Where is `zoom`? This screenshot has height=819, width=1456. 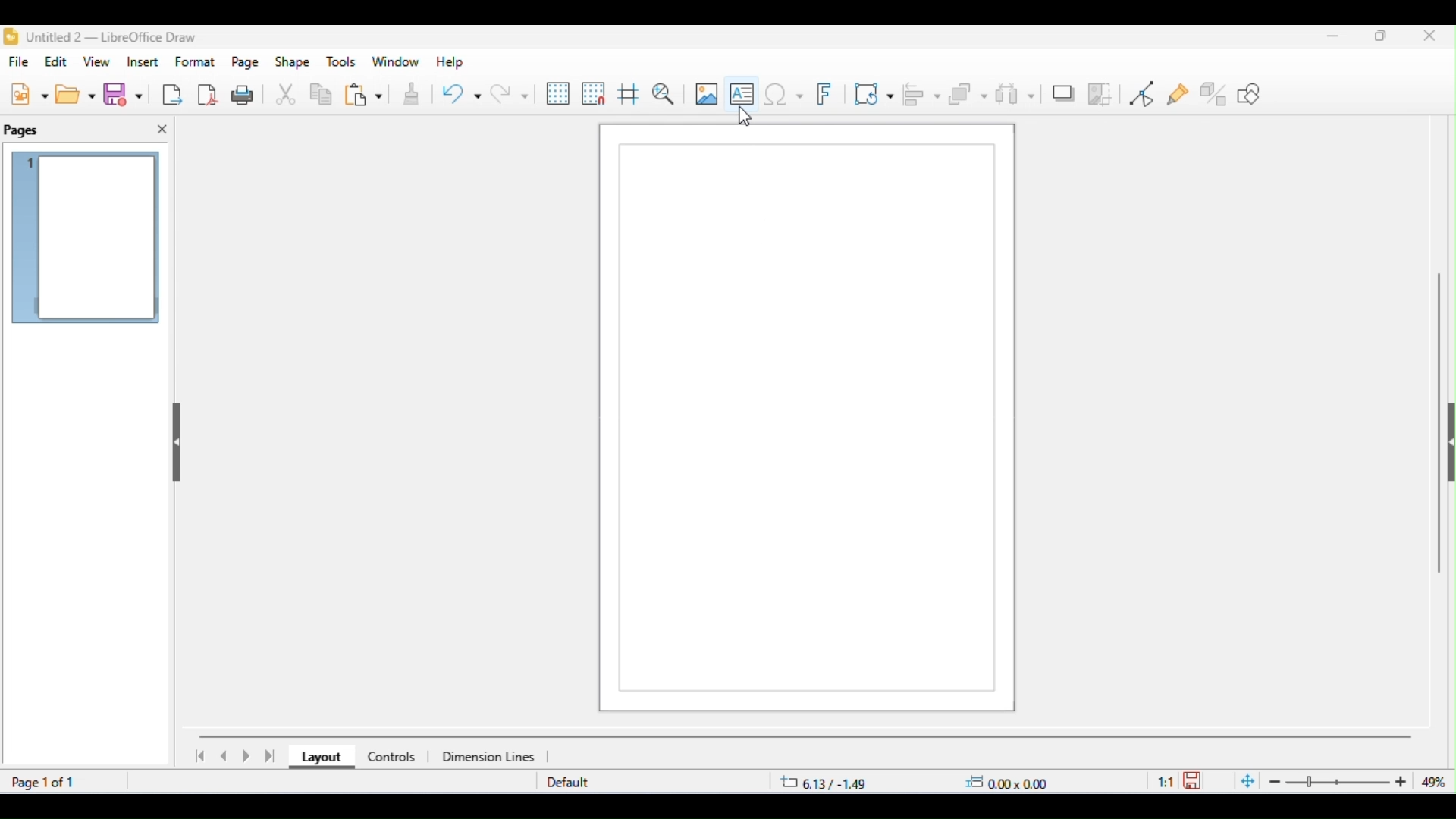
zoom is located at coordinates (1342, 782).